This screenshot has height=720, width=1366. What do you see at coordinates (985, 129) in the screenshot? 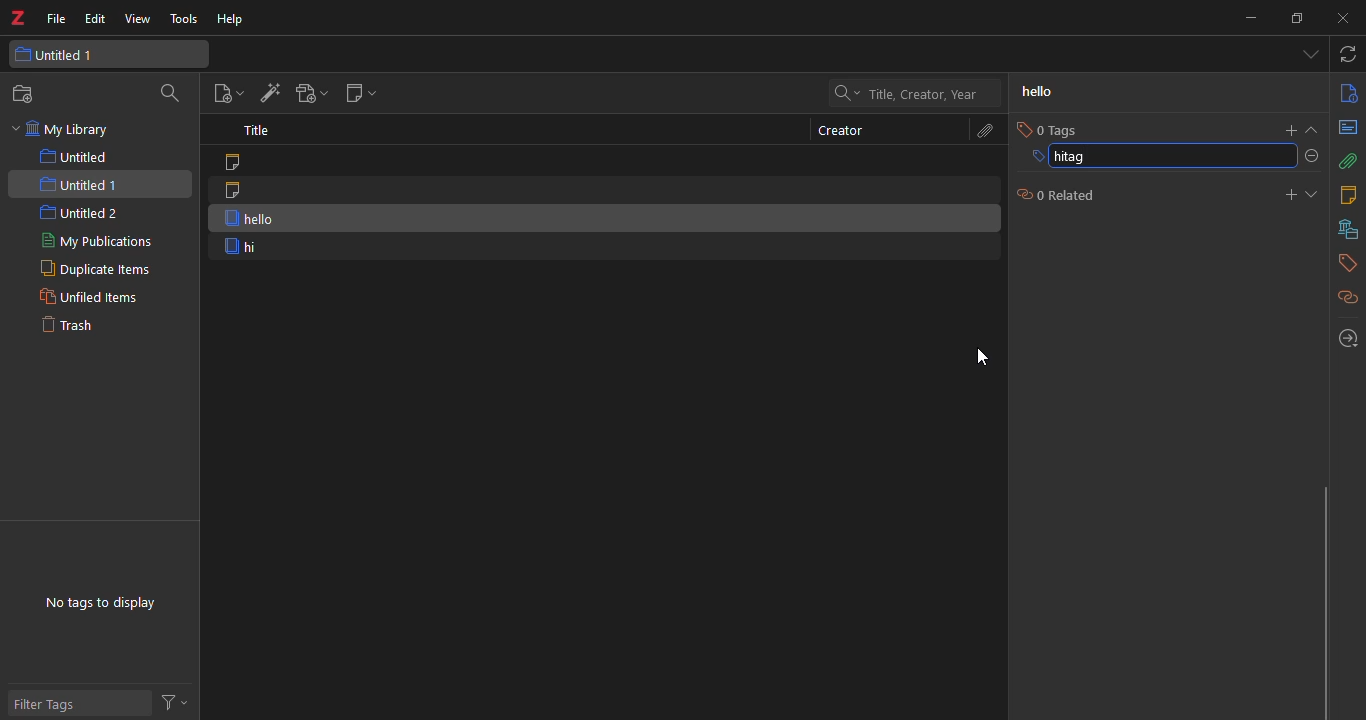
I see `attach` at bounding box center [985, 129].